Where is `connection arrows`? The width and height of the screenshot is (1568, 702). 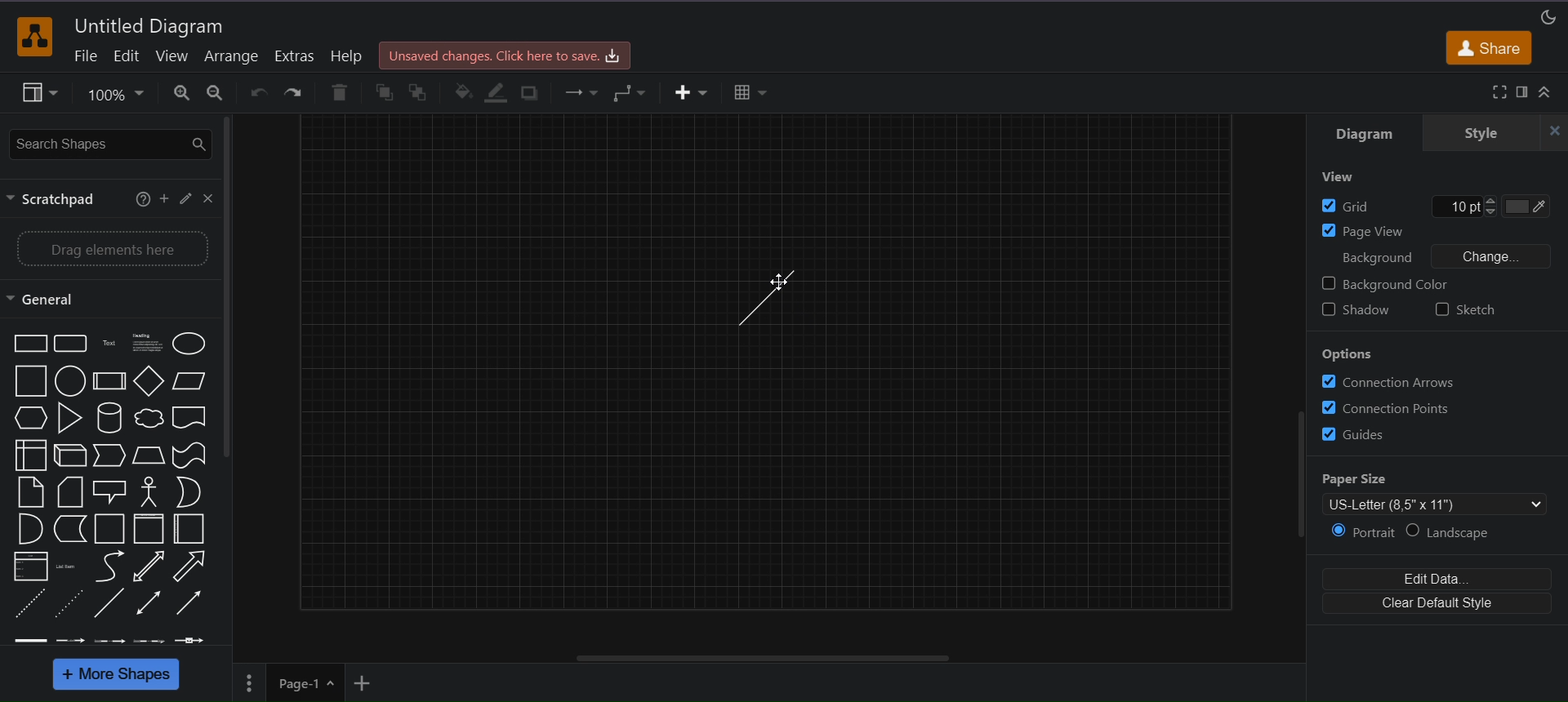 connection arrows is located at coordinates (1389, 383).